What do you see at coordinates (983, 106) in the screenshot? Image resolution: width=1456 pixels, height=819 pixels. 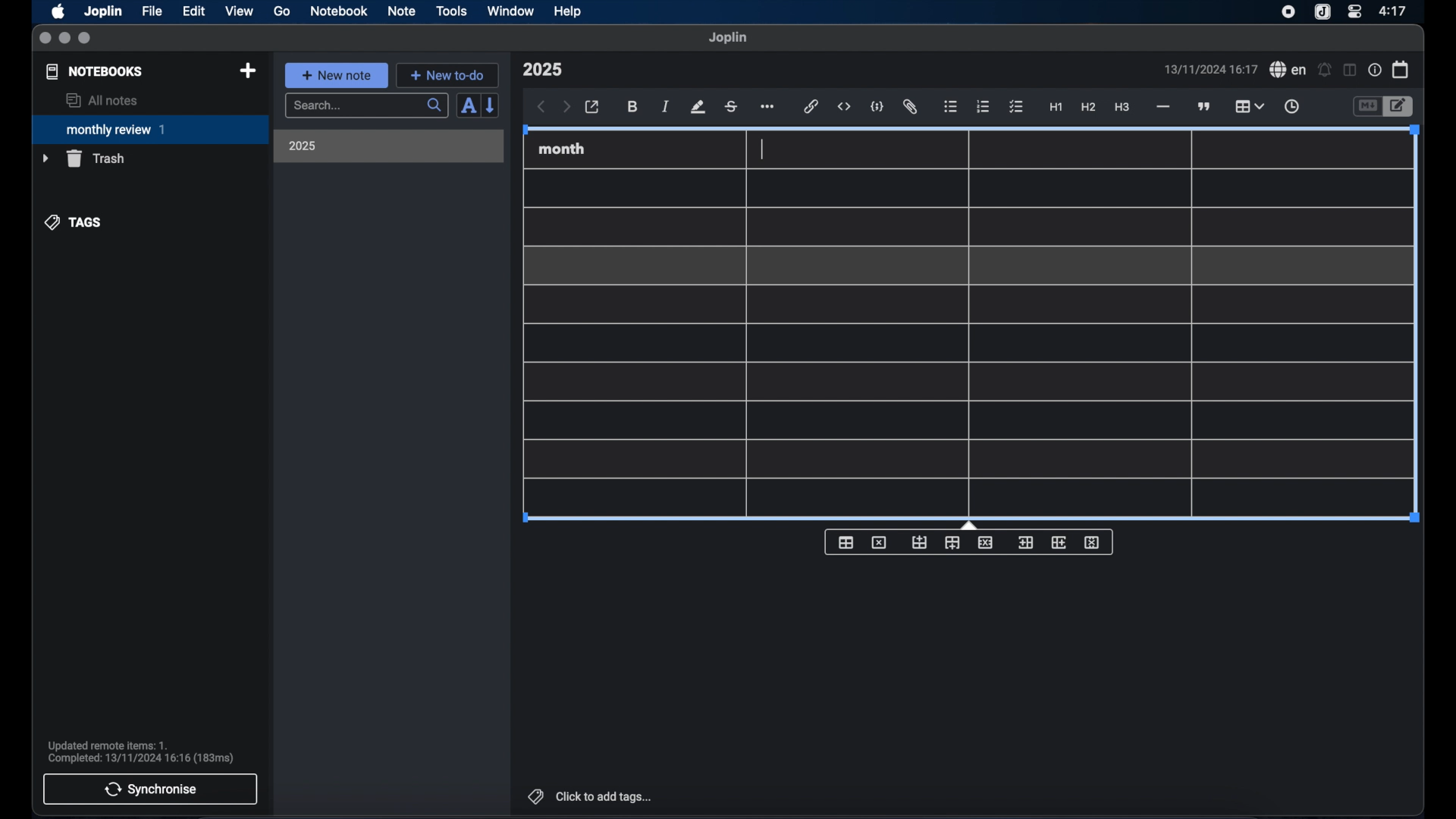 I see `numbered list` at bounding box center [983, 106].